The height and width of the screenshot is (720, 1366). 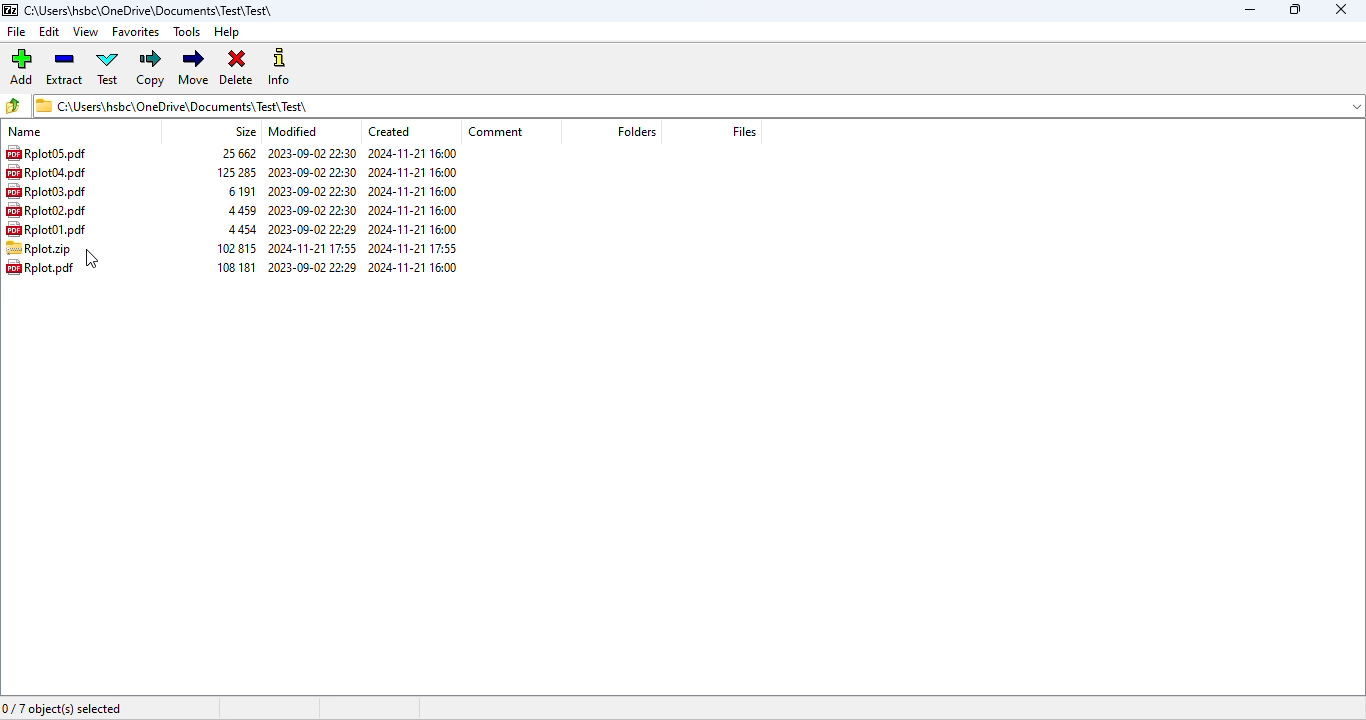 What do you see at coordinates (316, 172) in the screenshot?
I see `2023-09-02 22:30` at bounding box center [316, 172].